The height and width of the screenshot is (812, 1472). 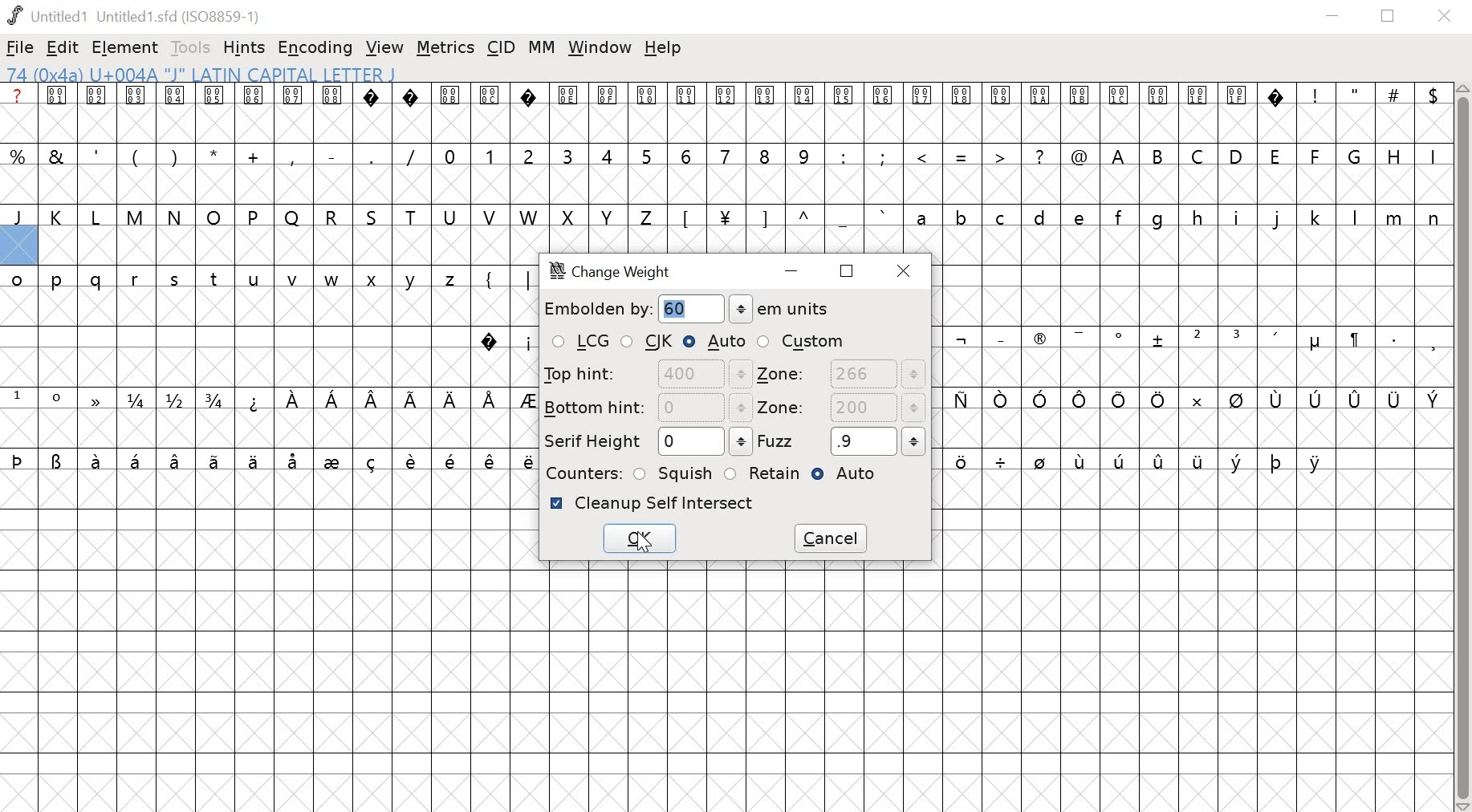 What do you see at coordinates (802, 341) in the screenshot?
I see `CUSTOM` at bounding box center [802, 341].